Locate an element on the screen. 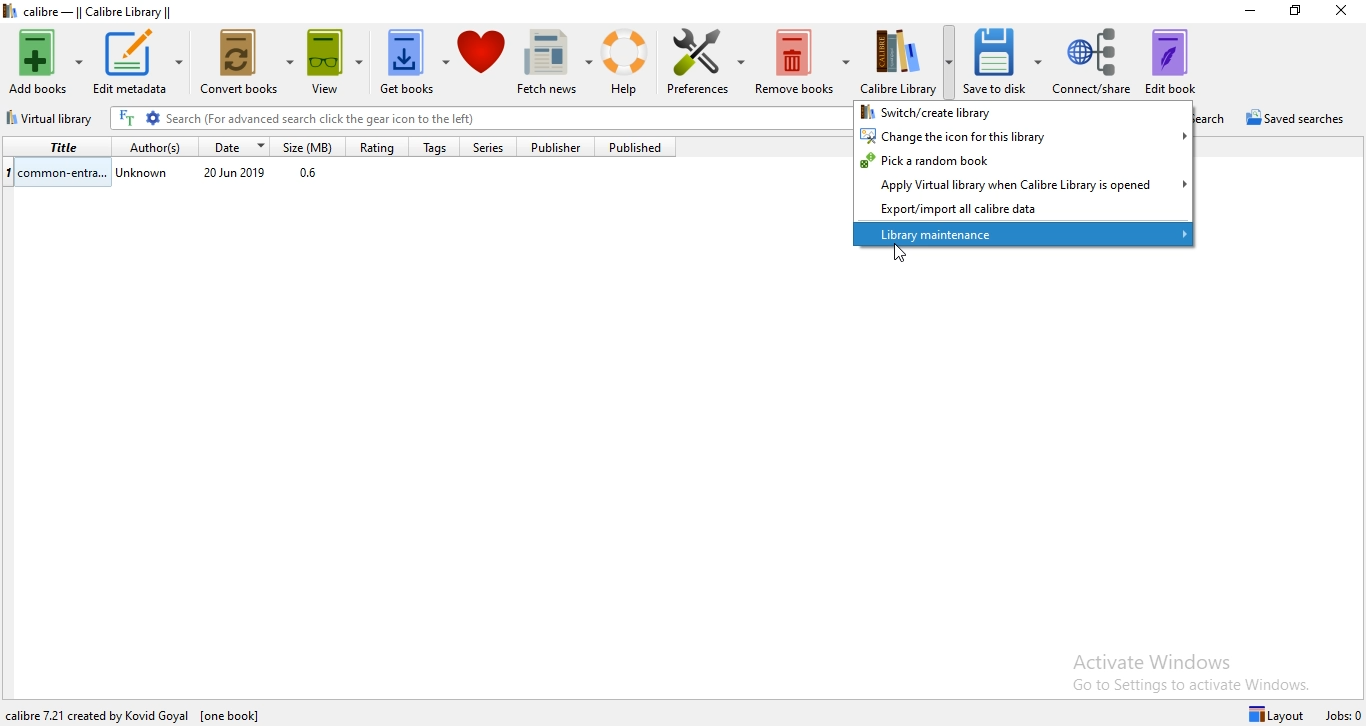 The image size is (1366, 726). Serach bar is located at coordinates (504, 120).